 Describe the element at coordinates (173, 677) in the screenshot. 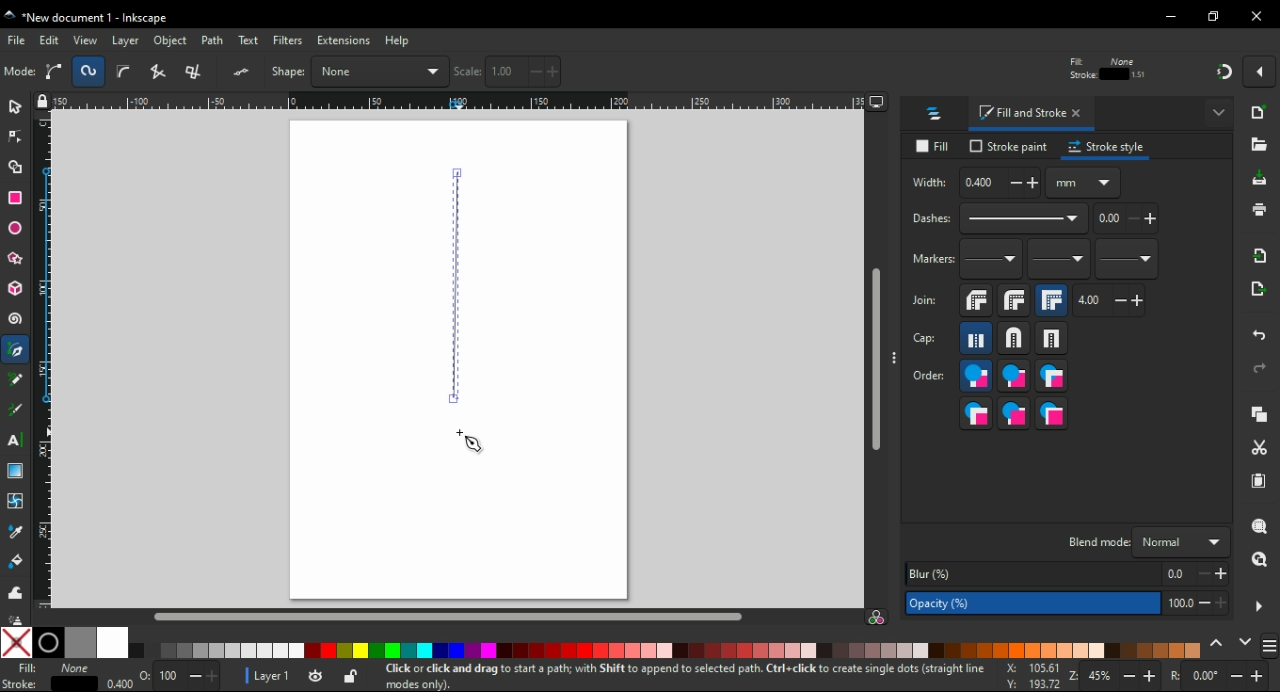

I see `Size` at that location.